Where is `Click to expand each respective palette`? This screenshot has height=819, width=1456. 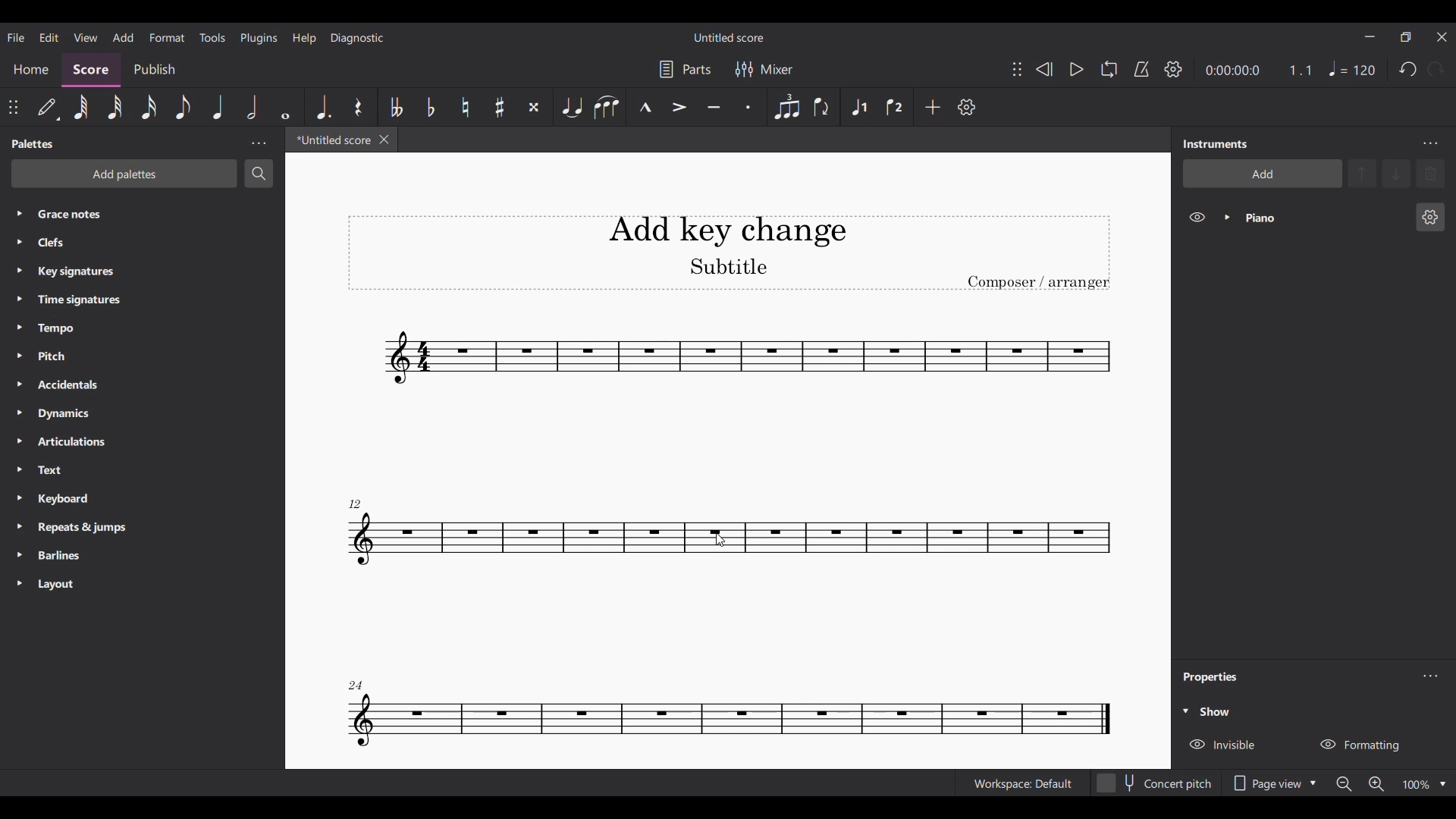
Click to expand each respective palette is located at coordinates (18, 397).